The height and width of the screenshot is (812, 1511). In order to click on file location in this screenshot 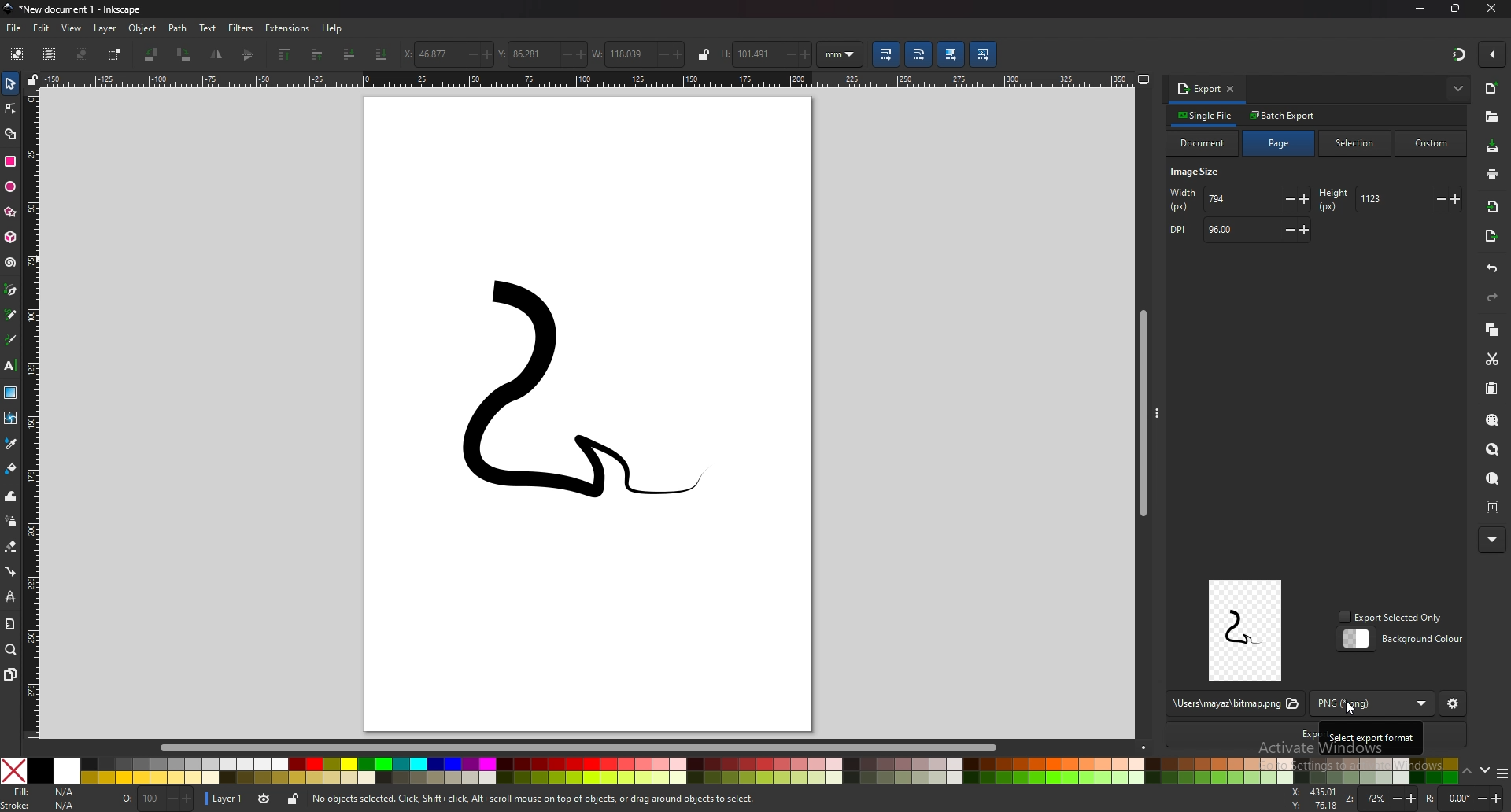, I will do `click(1234, 704)`.